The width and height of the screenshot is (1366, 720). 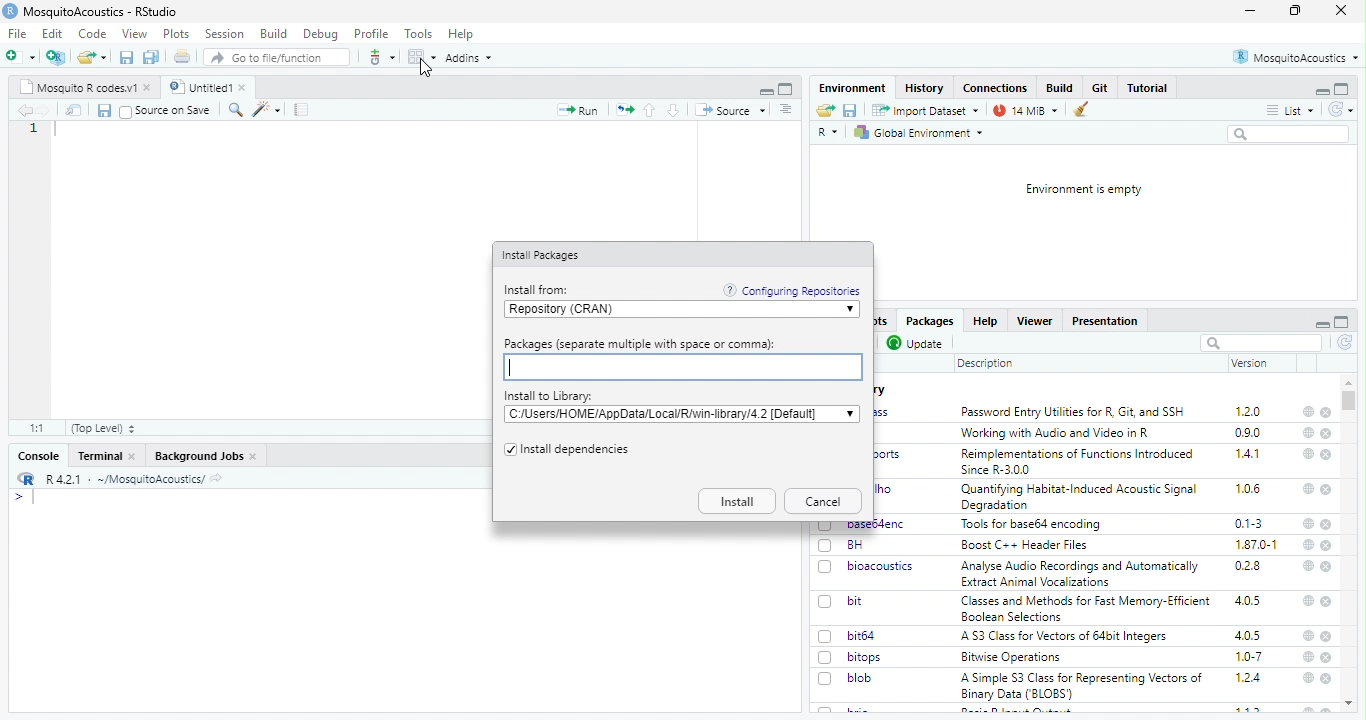 I want to click on C:/Users/HOME/AppData/Local/R/win-library/4.2 [Default], so click(x=670, y=414).